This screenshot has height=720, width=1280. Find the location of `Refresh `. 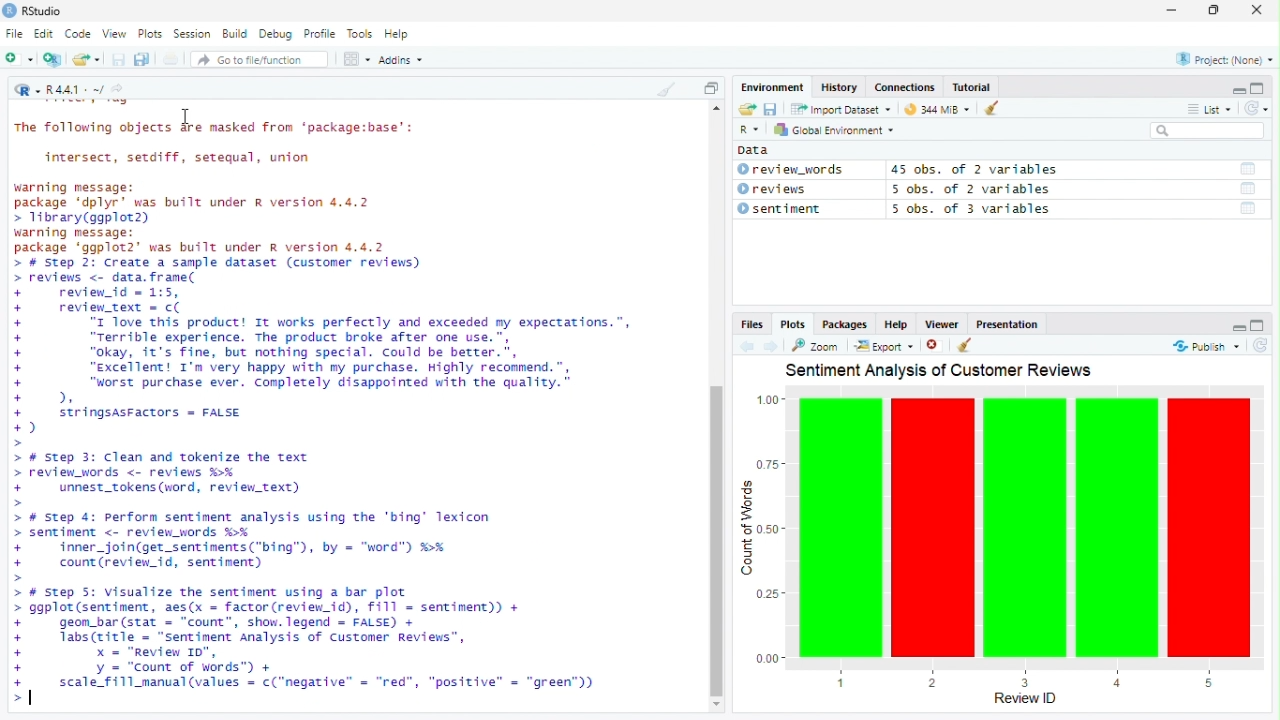

Refresh  is located at coordinates (1256, 108).